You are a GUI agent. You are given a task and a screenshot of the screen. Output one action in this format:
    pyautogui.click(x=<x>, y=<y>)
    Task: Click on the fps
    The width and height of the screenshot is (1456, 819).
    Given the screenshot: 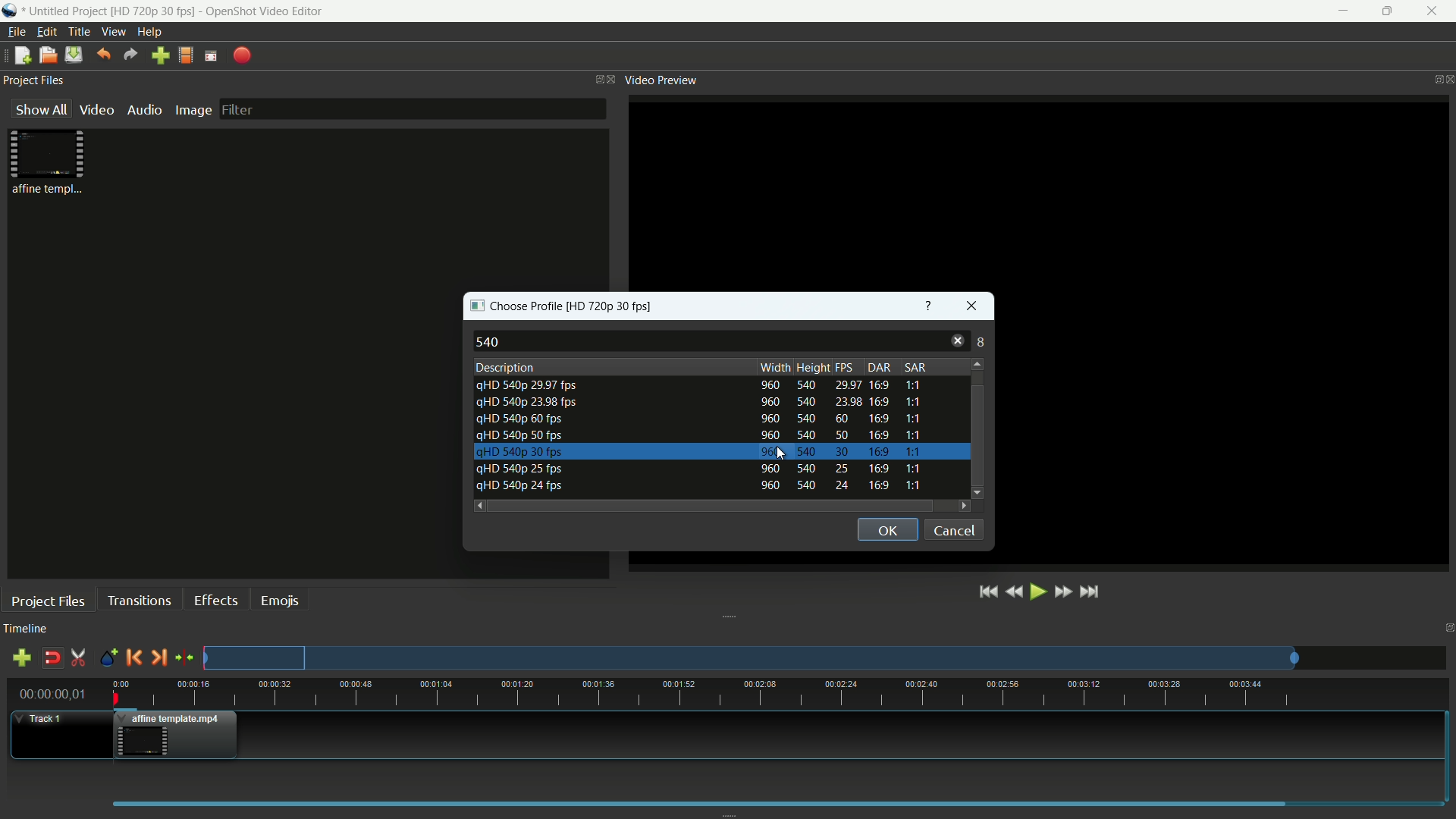 What is the action you would take?
    pyautogui.click(x=845, y=368)
    